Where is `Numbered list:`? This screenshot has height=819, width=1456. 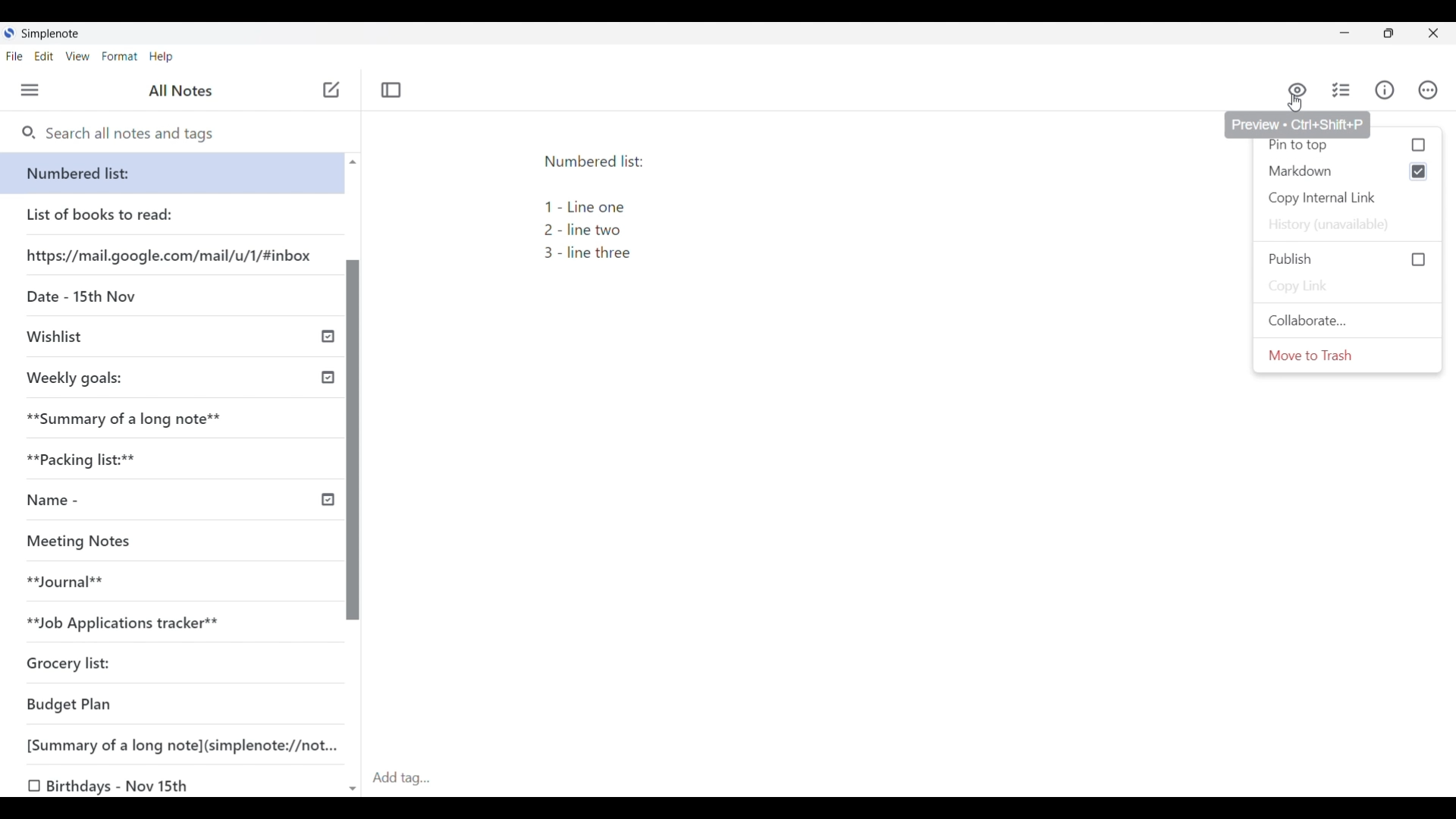
Numbered list: is located at coordinates (586, 162).